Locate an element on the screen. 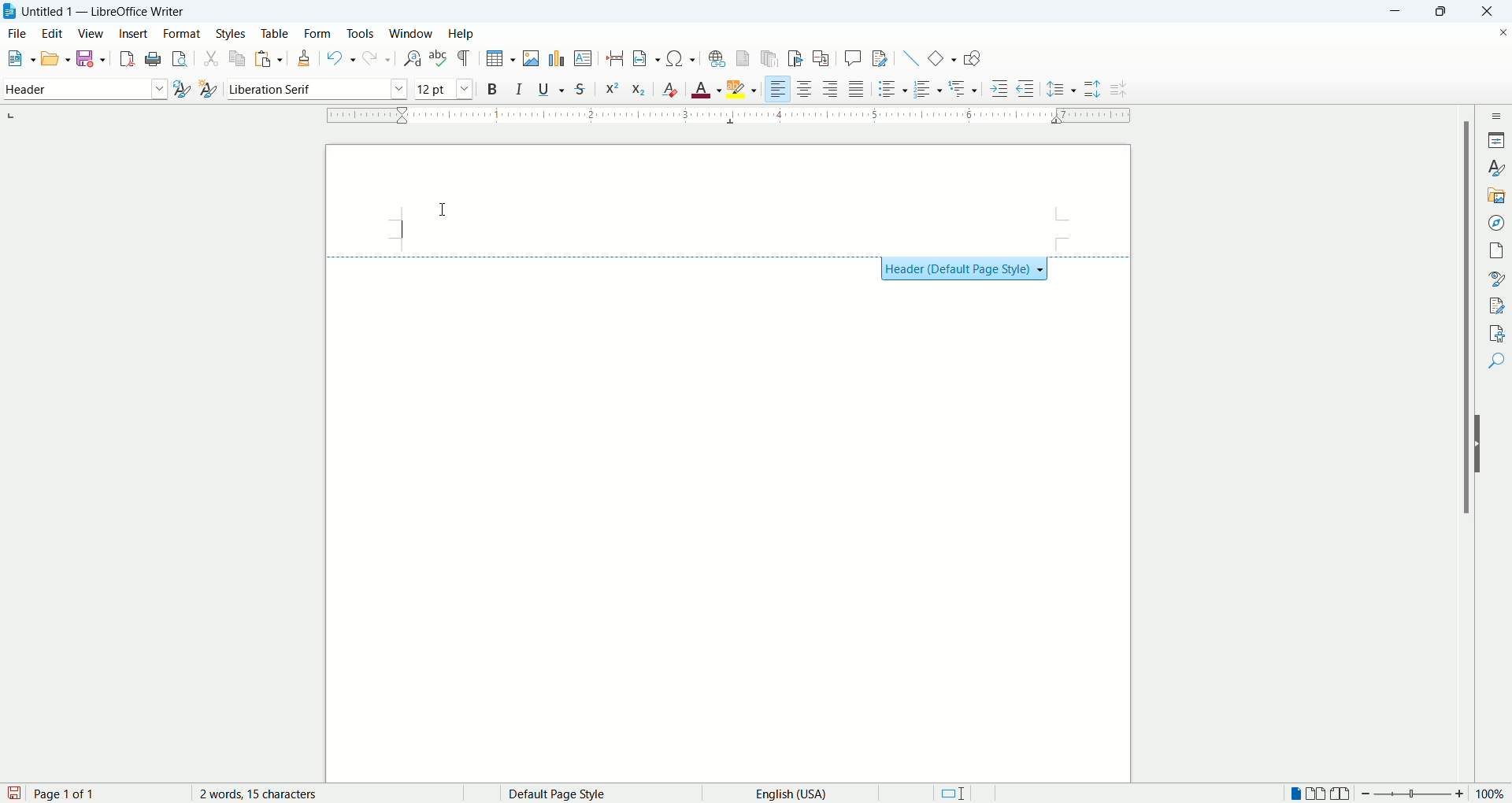  print is located at coordinates (154, 58).